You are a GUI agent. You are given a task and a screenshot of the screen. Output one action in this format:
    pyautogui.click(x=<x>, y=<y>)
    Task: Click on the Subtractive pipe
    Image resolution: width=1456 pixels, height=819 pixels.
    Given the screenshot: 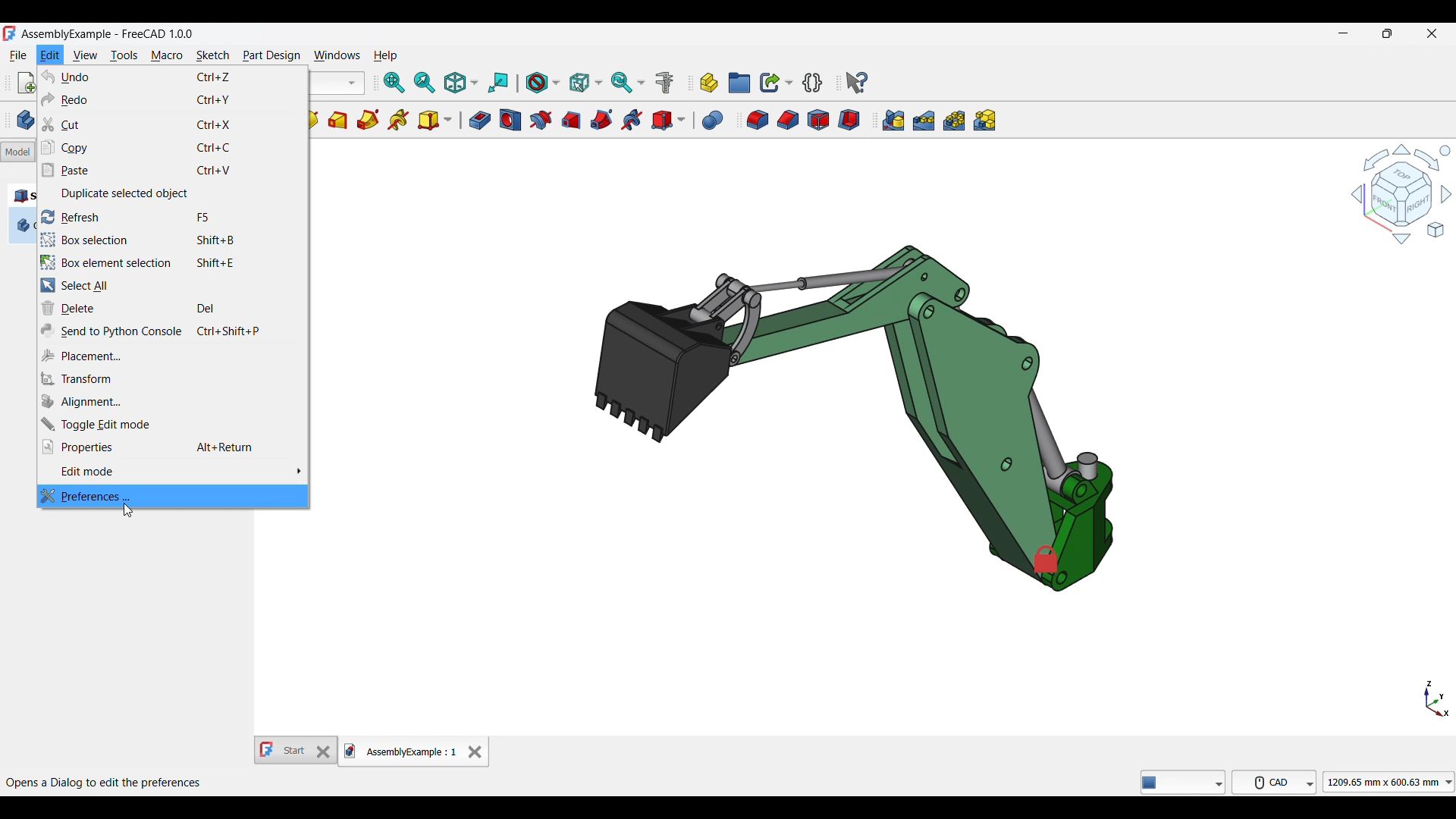 What is the action you would take?
    pyautogui.click(x=601, y=120)
    